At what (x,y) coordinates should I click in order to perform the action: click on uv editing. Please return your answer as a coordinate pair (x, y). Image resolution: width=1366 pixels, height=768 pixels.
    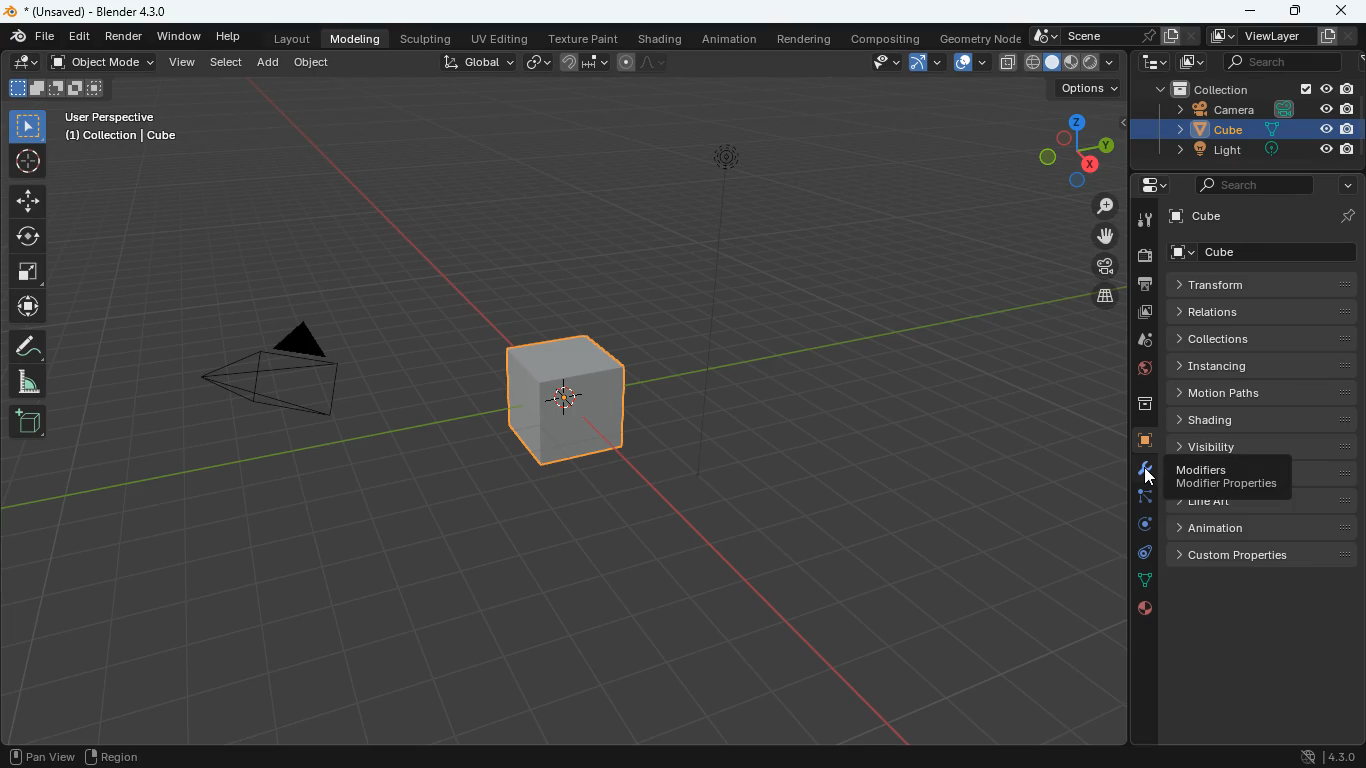
    Looking at the image, I should click on (498, 37).